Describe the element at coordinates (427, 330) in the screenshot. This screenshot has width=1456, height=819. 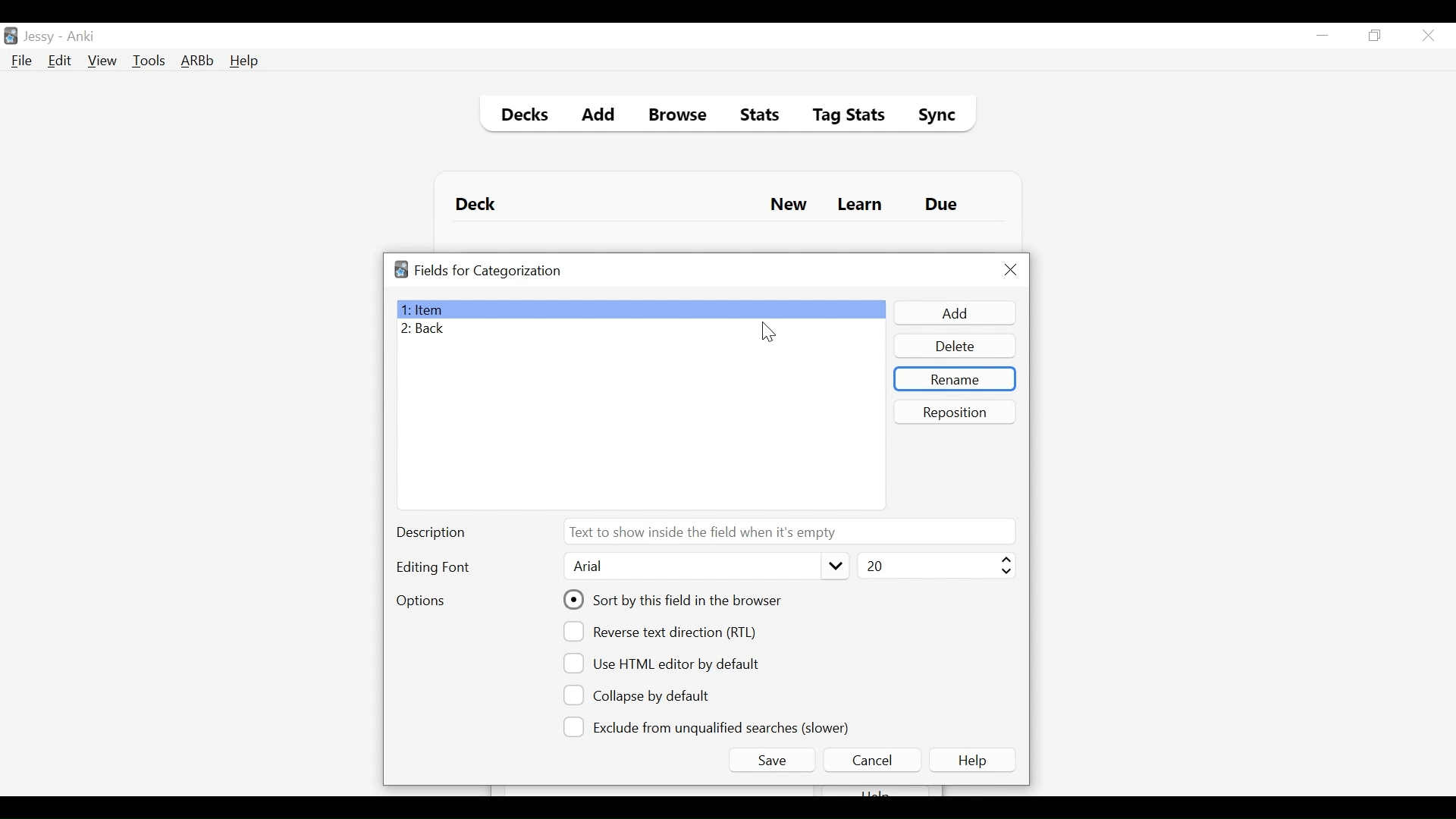
I see `Back` at that location.